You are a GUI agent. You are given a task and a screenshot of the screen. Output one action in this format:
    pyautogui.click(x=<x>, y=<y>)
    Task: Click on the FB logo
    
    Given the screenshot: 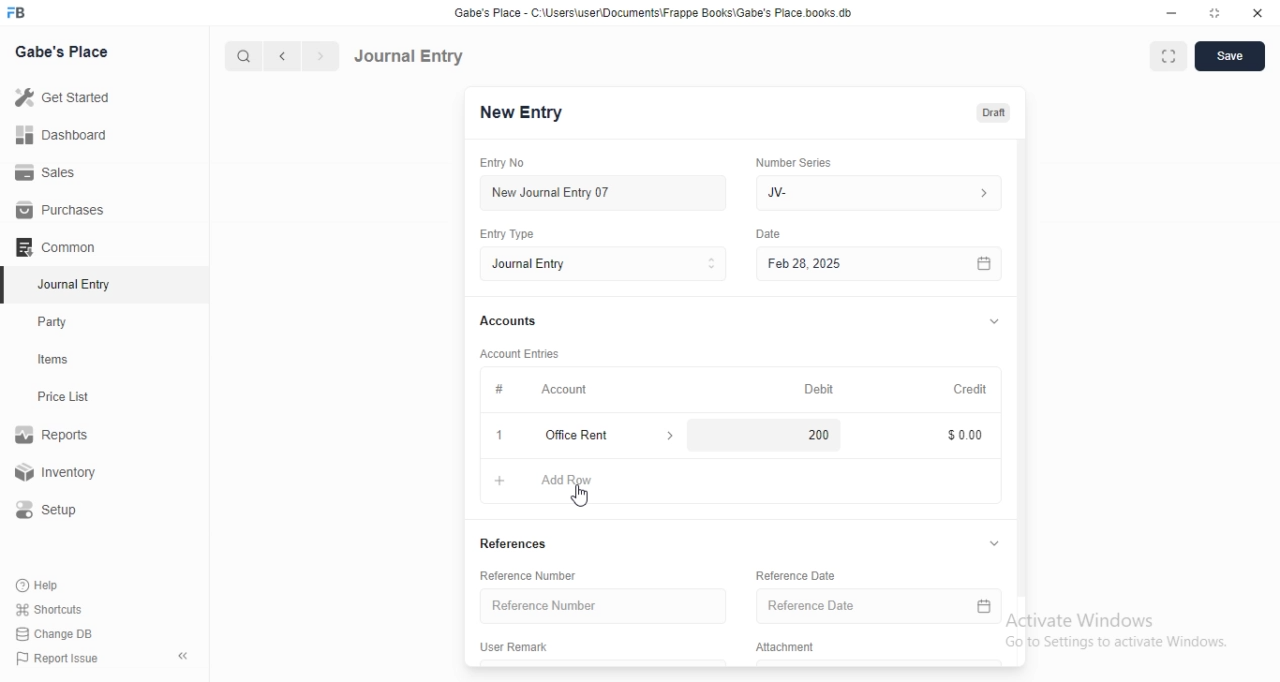 What is the action you would take?
    pyautogui.click(x=18, y=13)
    